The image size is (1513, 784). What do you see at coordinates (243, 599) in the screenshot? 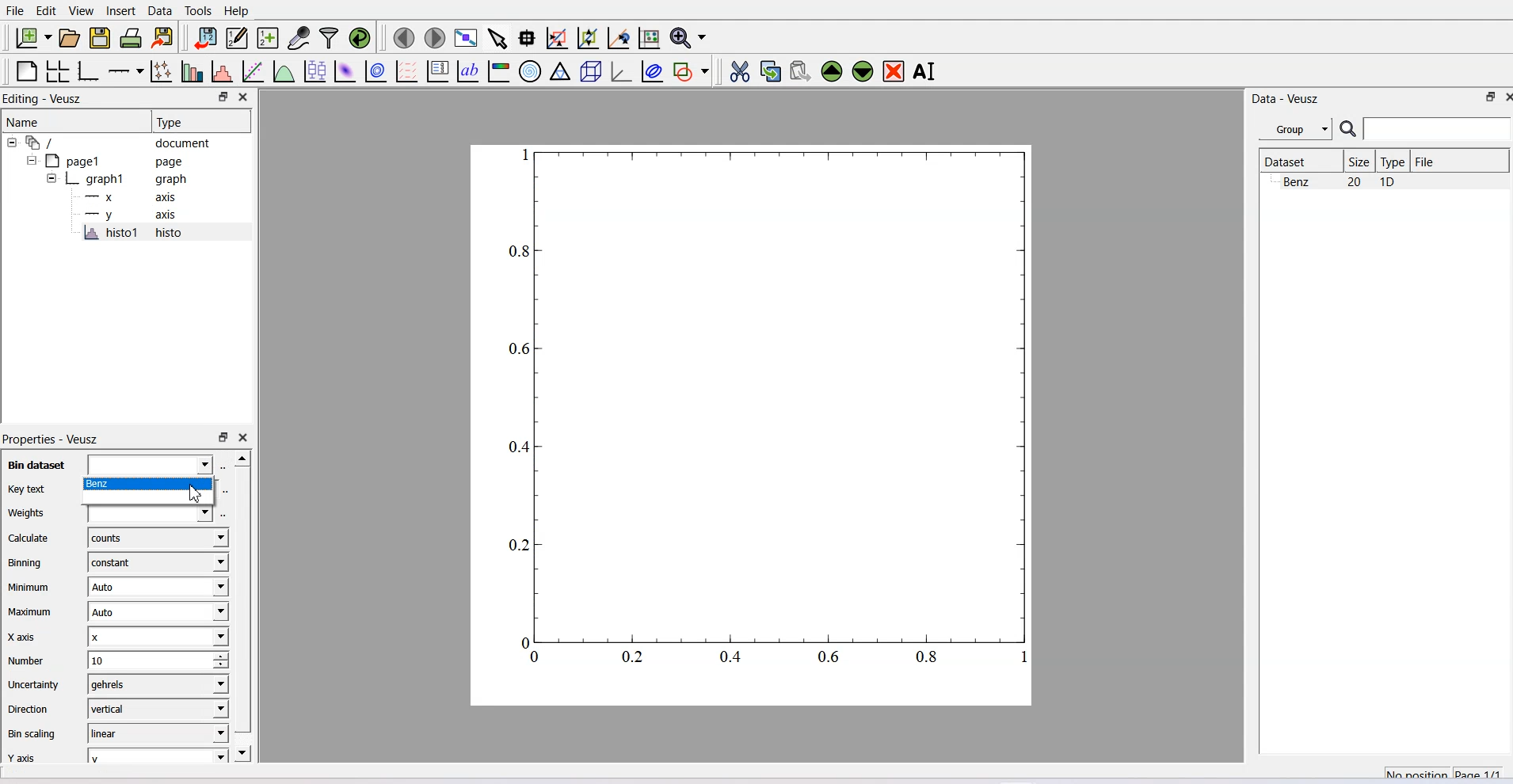
I see `Vertical scroll bar` at bounding box center [243, 599].